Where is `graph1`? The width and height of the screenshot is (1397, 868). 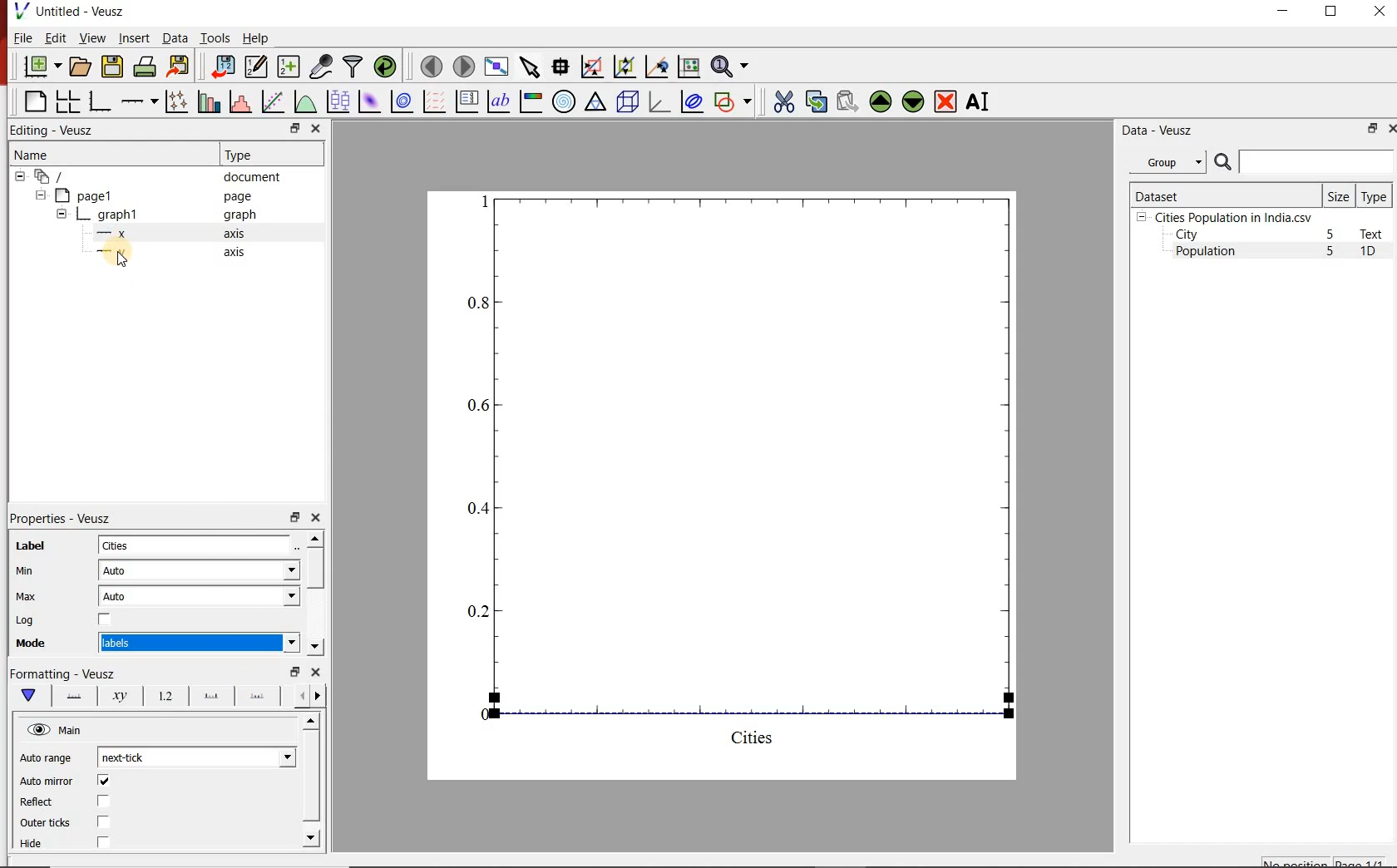 graph1 is located at coordinates (743, 481).